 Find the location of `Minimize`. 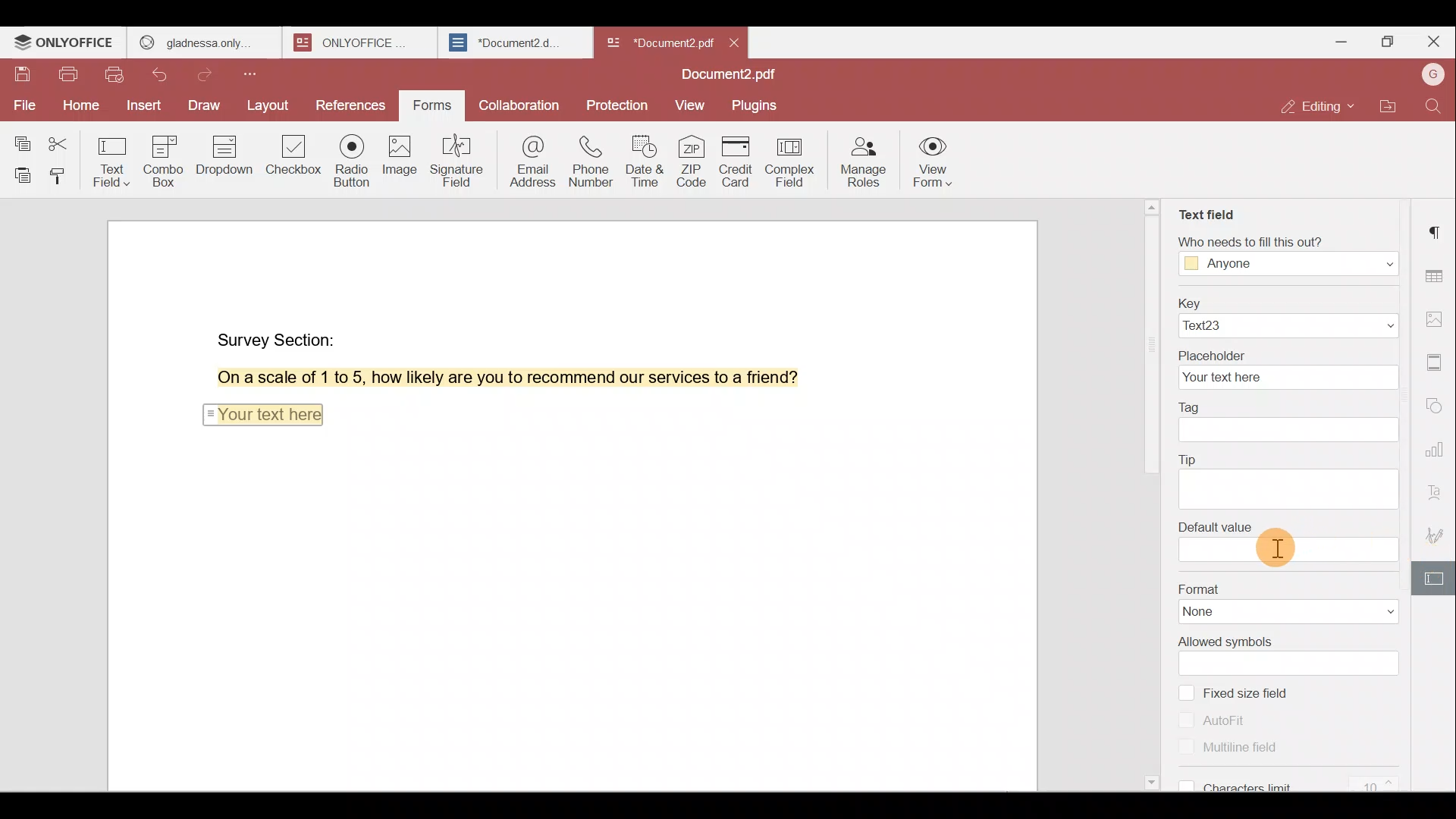

Minimize is located at coordinates (1337, 40).